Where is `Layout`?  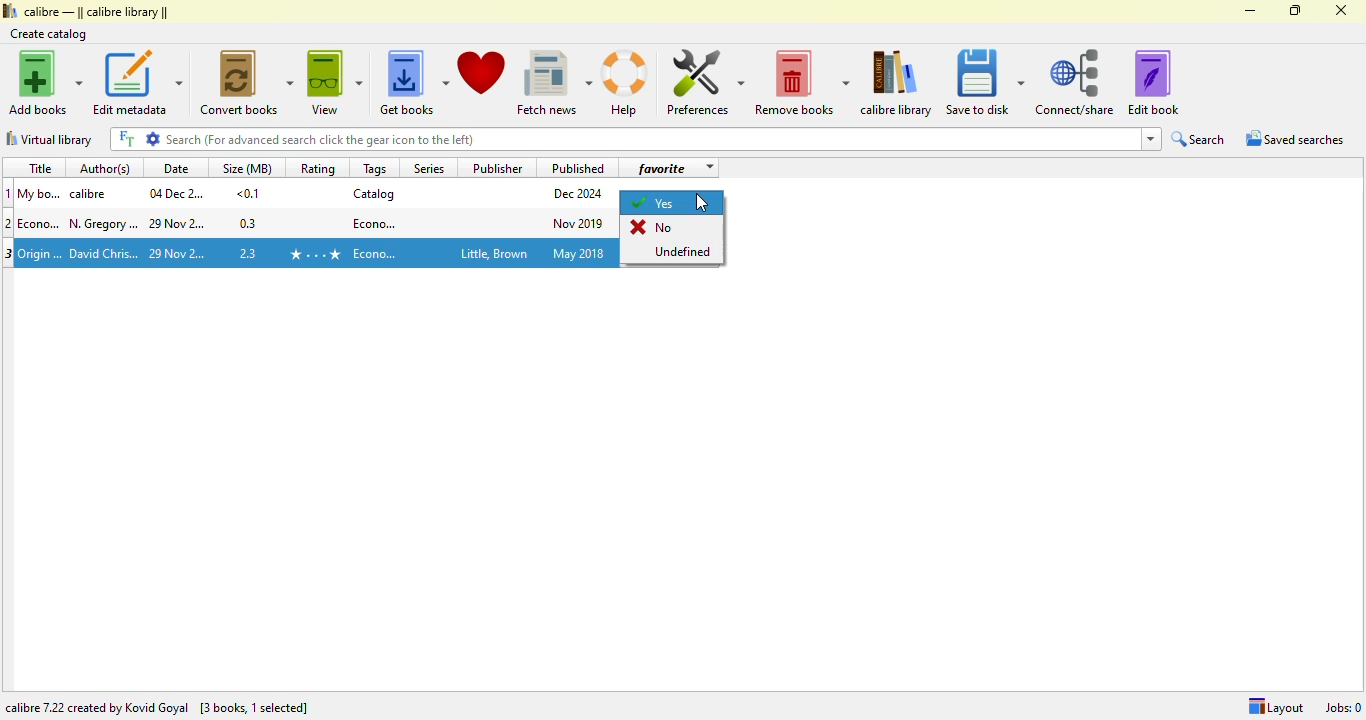
Layout is located at coordinates (1275, 707).